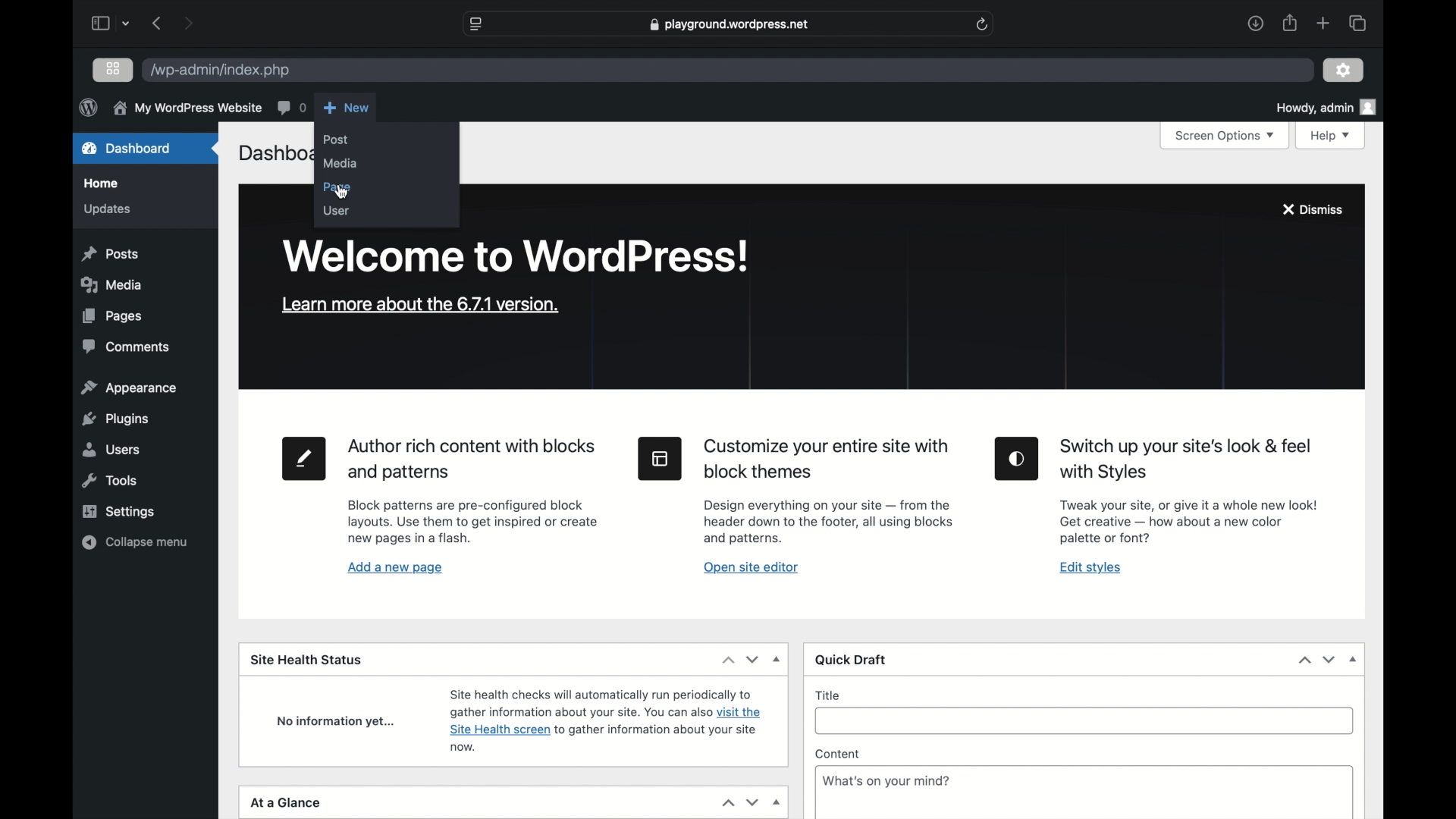  I want to click on headline, so click(475, 460).